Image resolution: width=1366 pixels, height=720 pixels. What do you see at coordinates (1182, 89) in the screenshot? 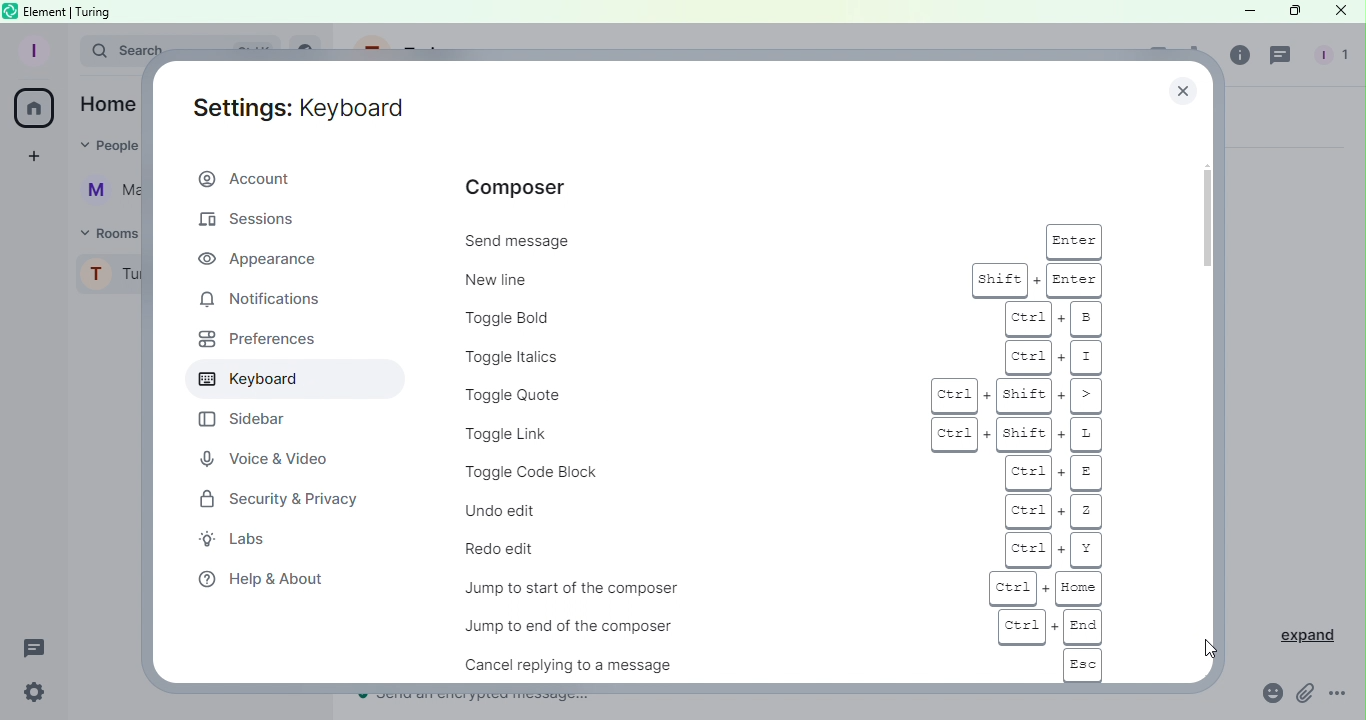
I see `Close` at bounding box center [1182, 89].